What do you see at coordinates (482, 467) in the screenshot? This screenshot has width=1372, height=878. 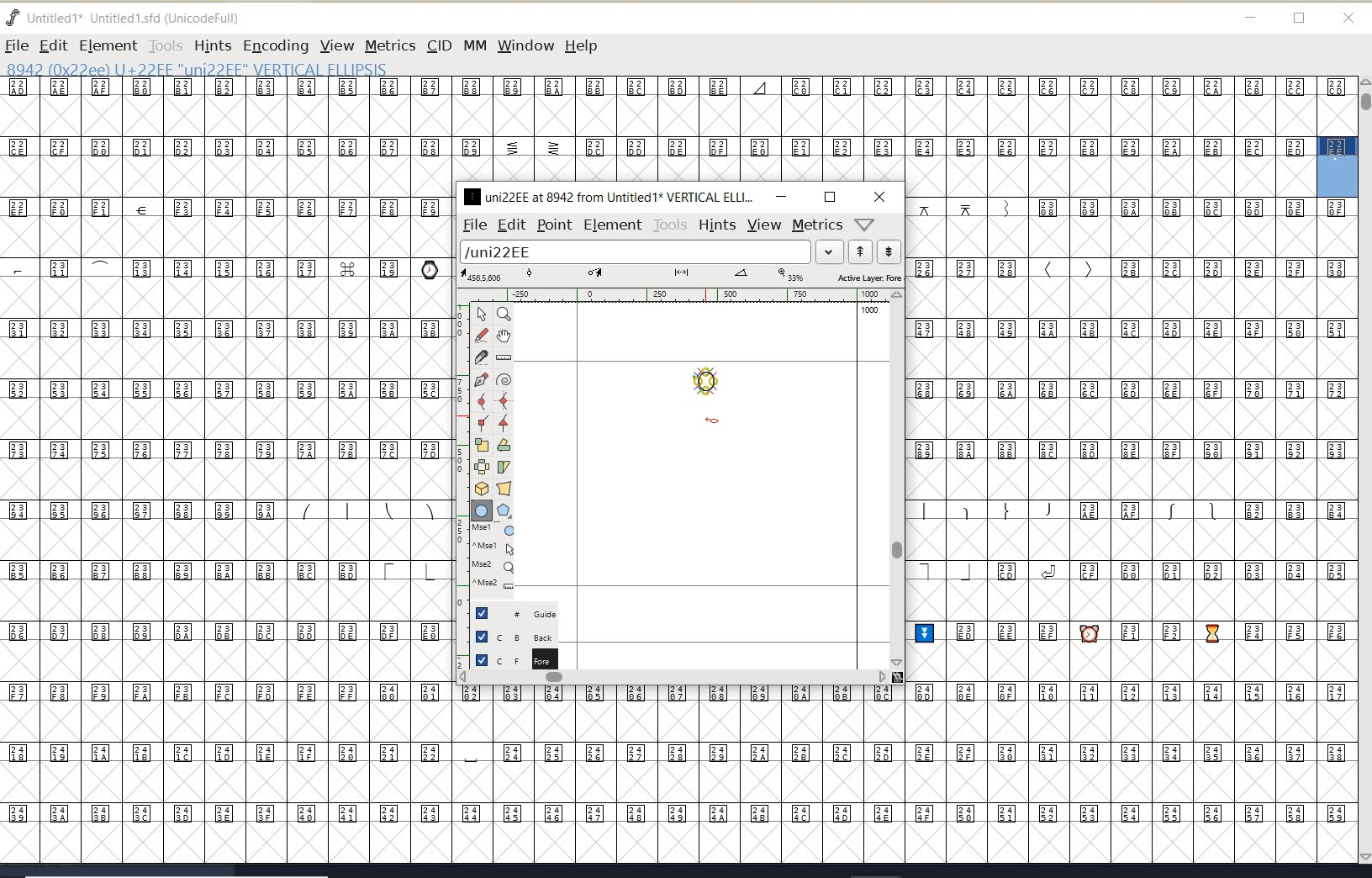 I see `flip the selection` at bounding box center [482, 467].